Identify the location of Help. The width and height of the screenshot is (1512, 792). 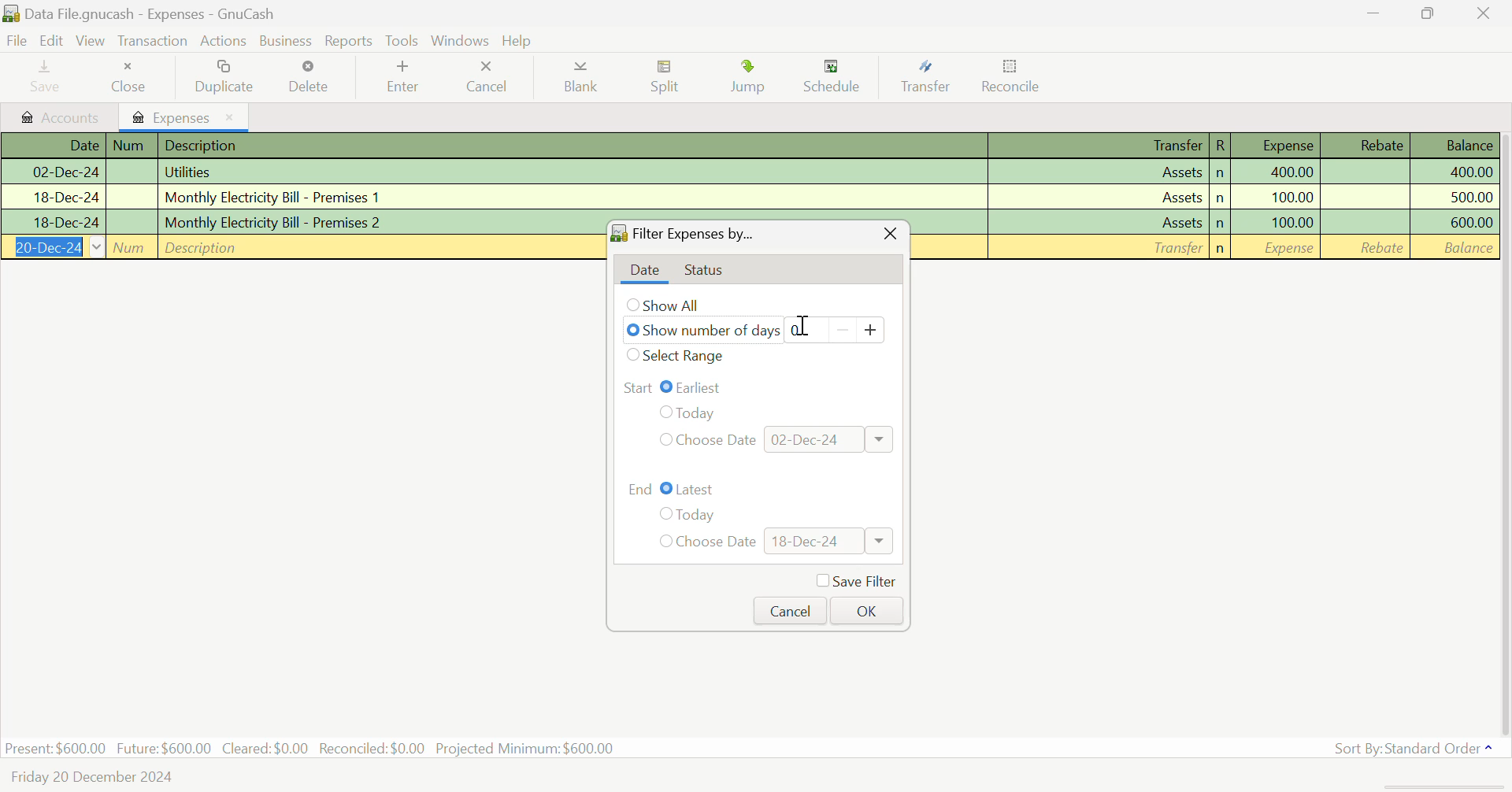
(517, 40).